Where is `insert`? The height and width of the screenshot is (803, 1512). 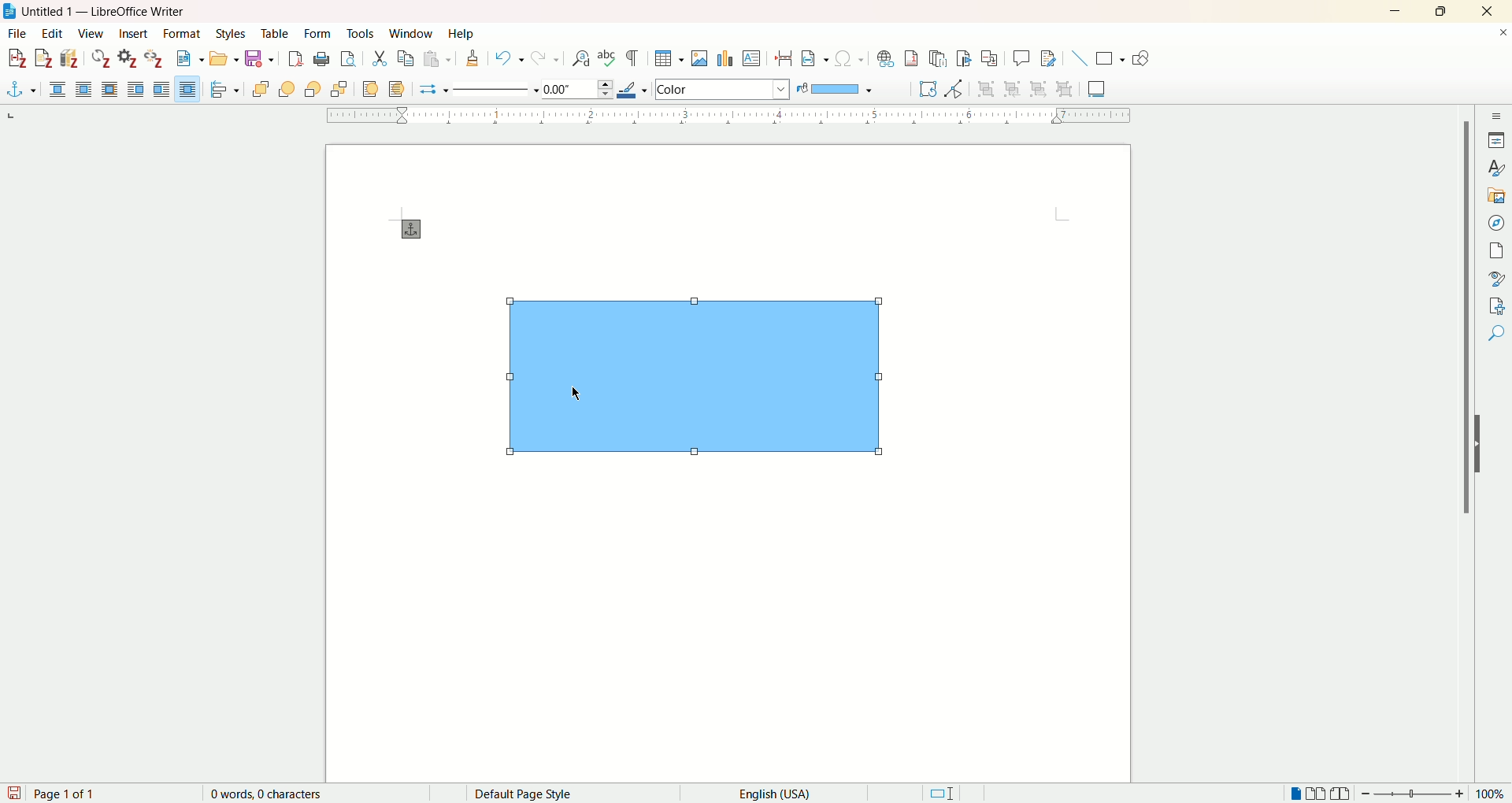 insert is located at coordinates (135, 34).